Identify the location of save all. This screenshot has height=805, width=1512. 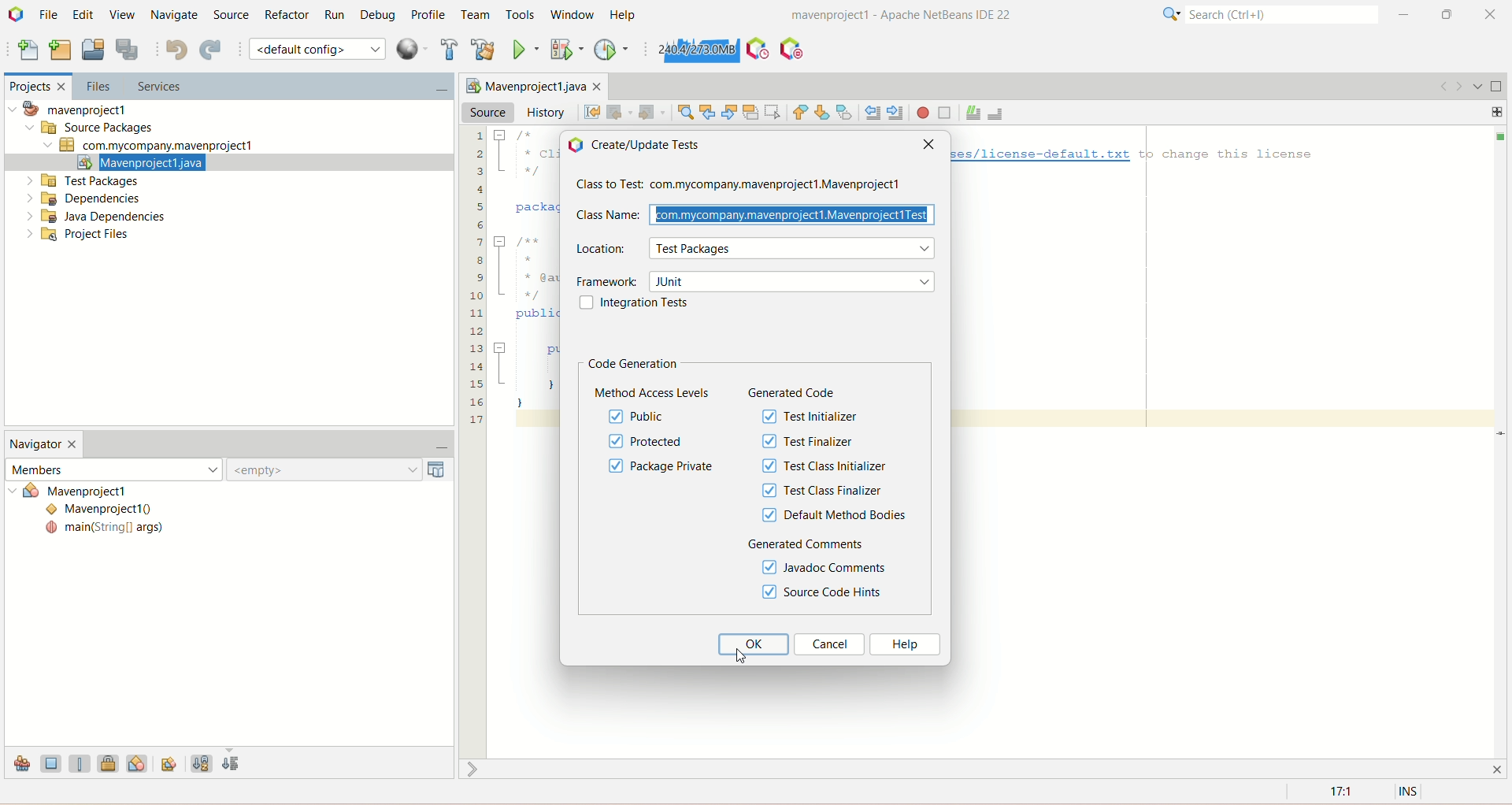
(127, 50).